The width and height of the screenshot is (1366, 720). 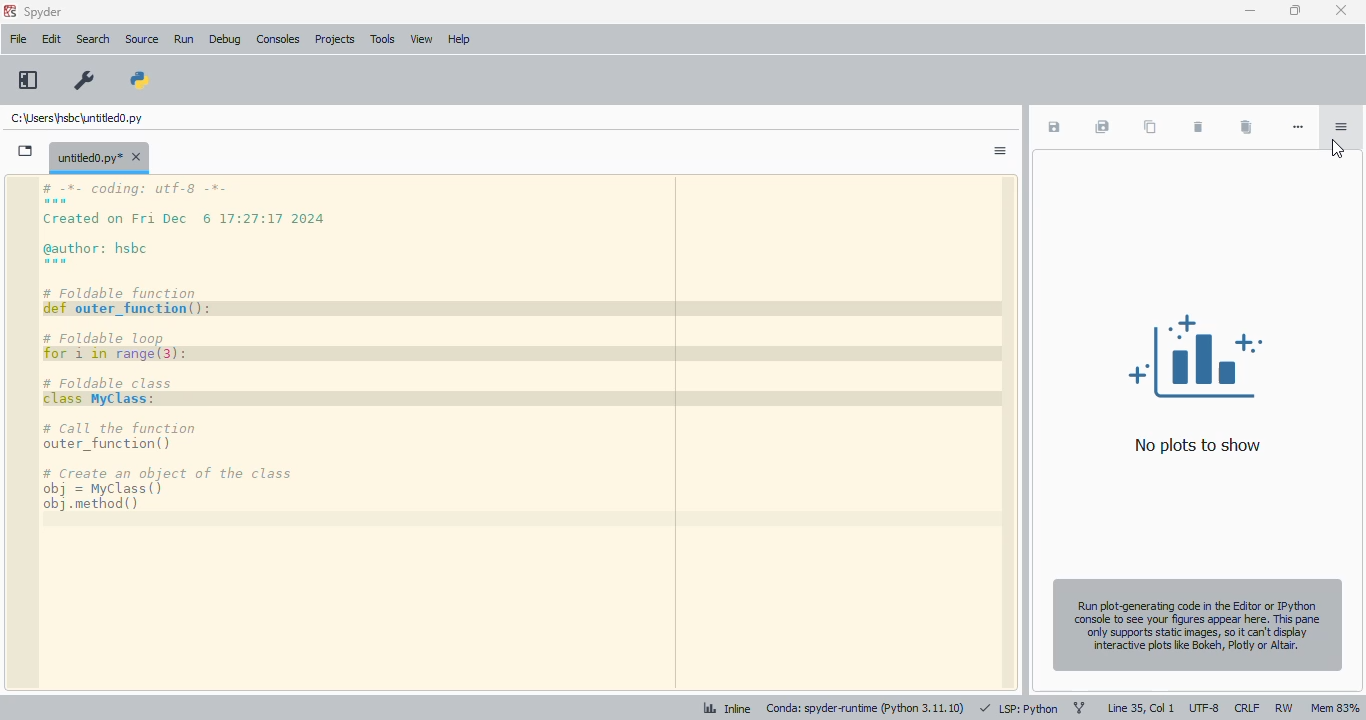 What do you see at coordinates (1102, 127) in the screenshot?
I see `save all plots` at bounding box center [1102, 127].